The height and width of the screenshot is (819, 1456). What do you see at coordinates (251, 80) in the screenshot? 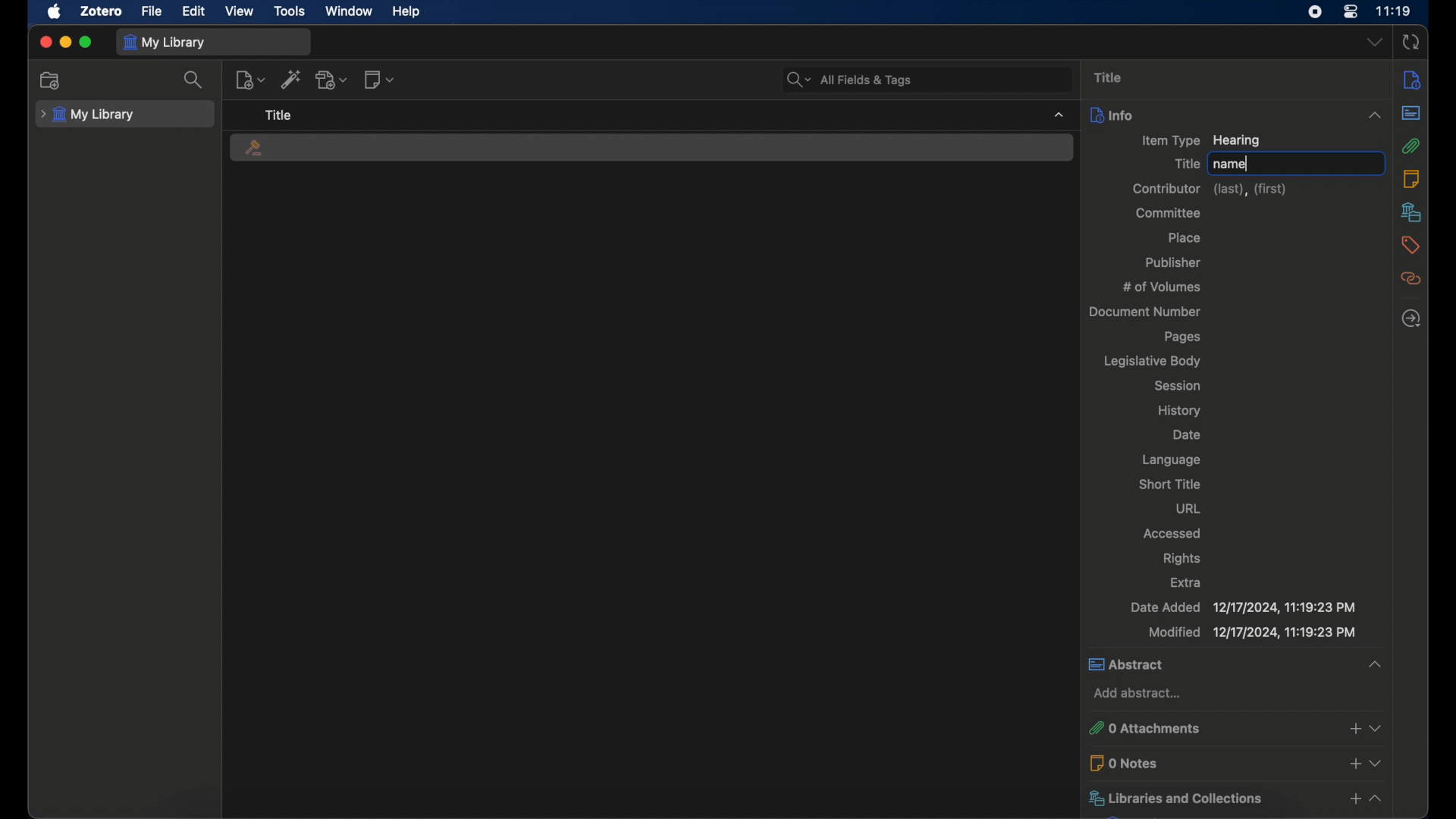
I see `new item` at bounding box center [251, 80].